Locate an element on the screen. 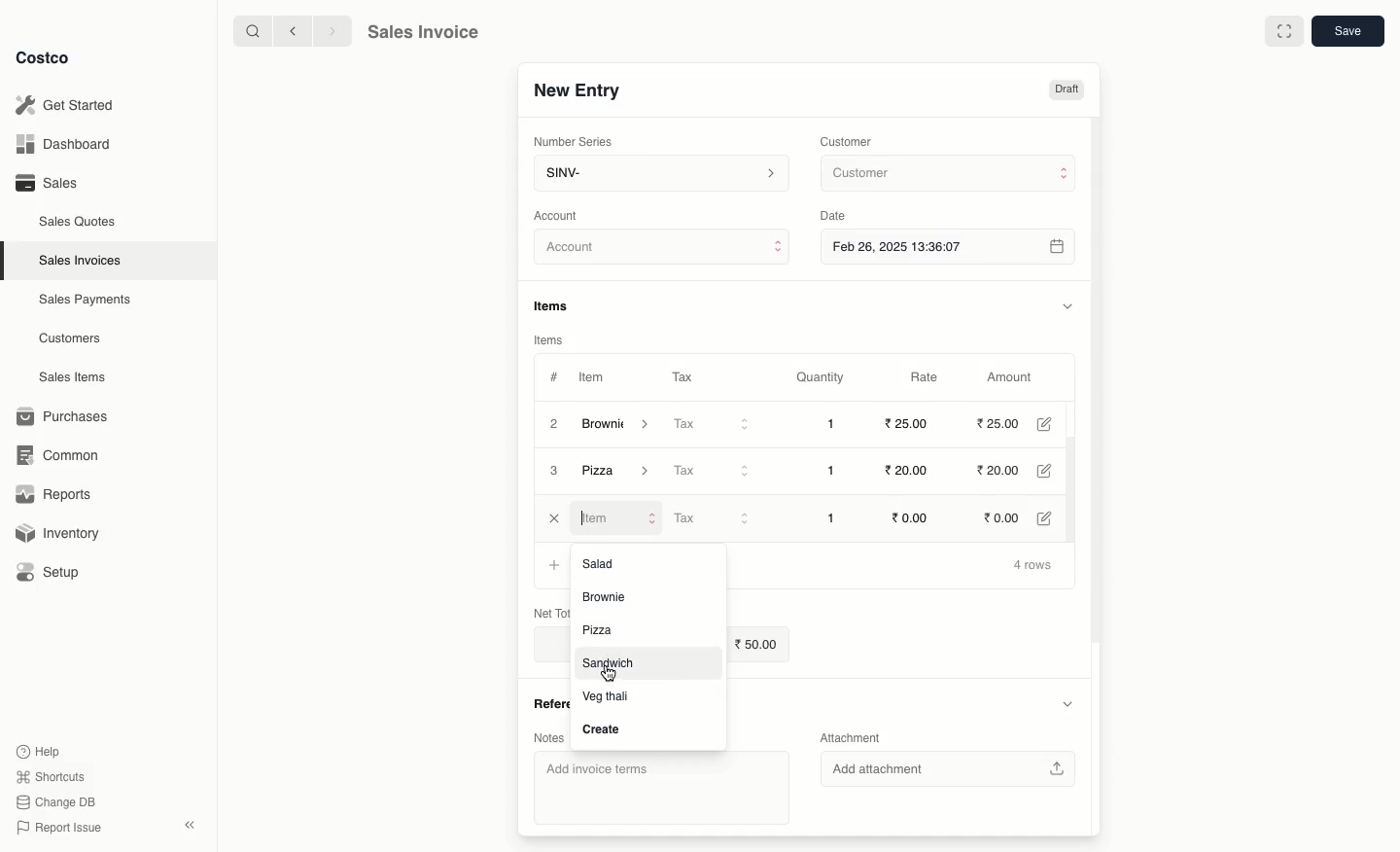 The image size is (1400, 852). 0.00 is located at coordinates (1008, 515).